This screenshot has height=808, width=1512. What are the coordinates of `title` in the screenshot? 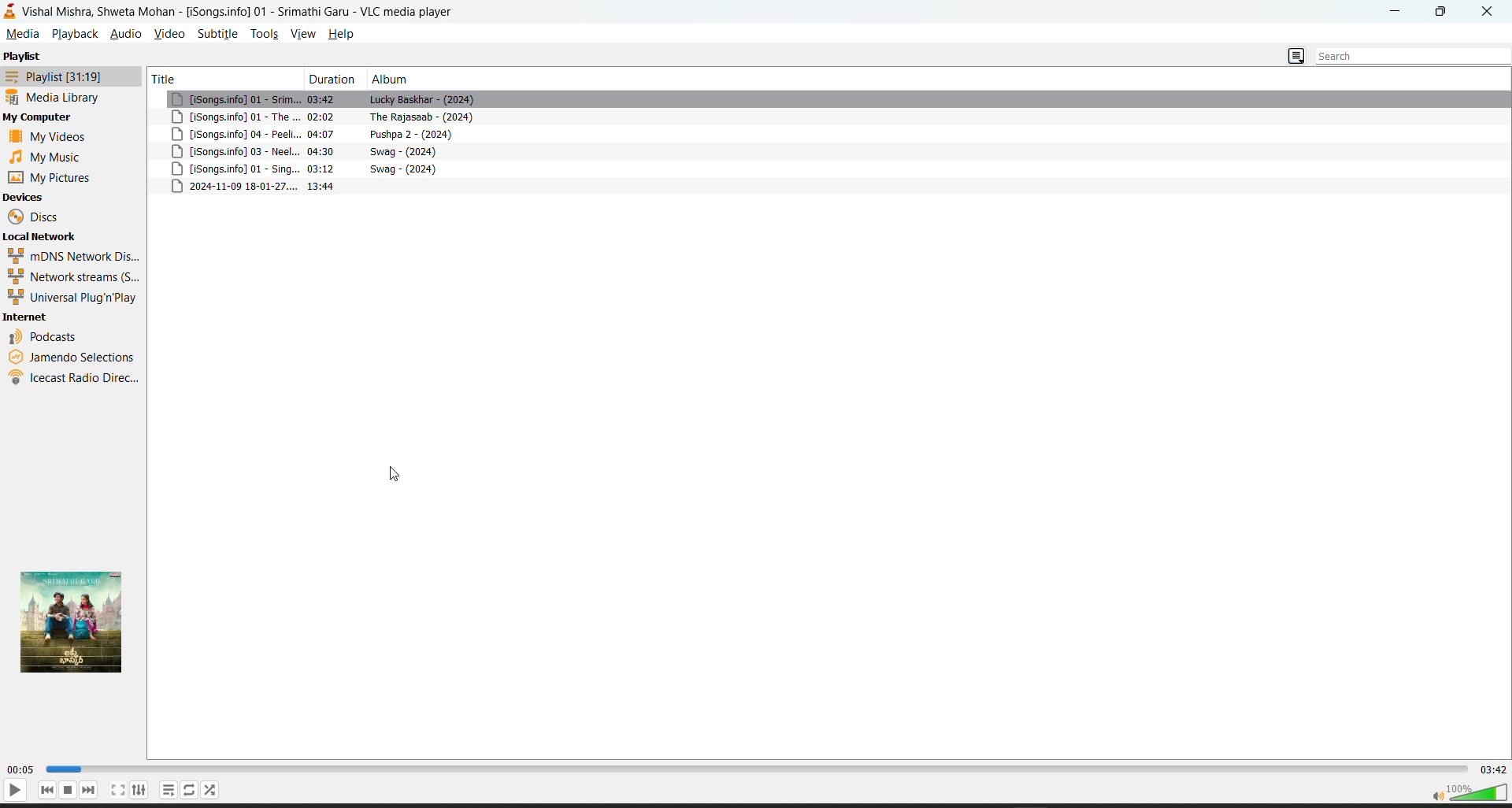 It's located at (164, 77).